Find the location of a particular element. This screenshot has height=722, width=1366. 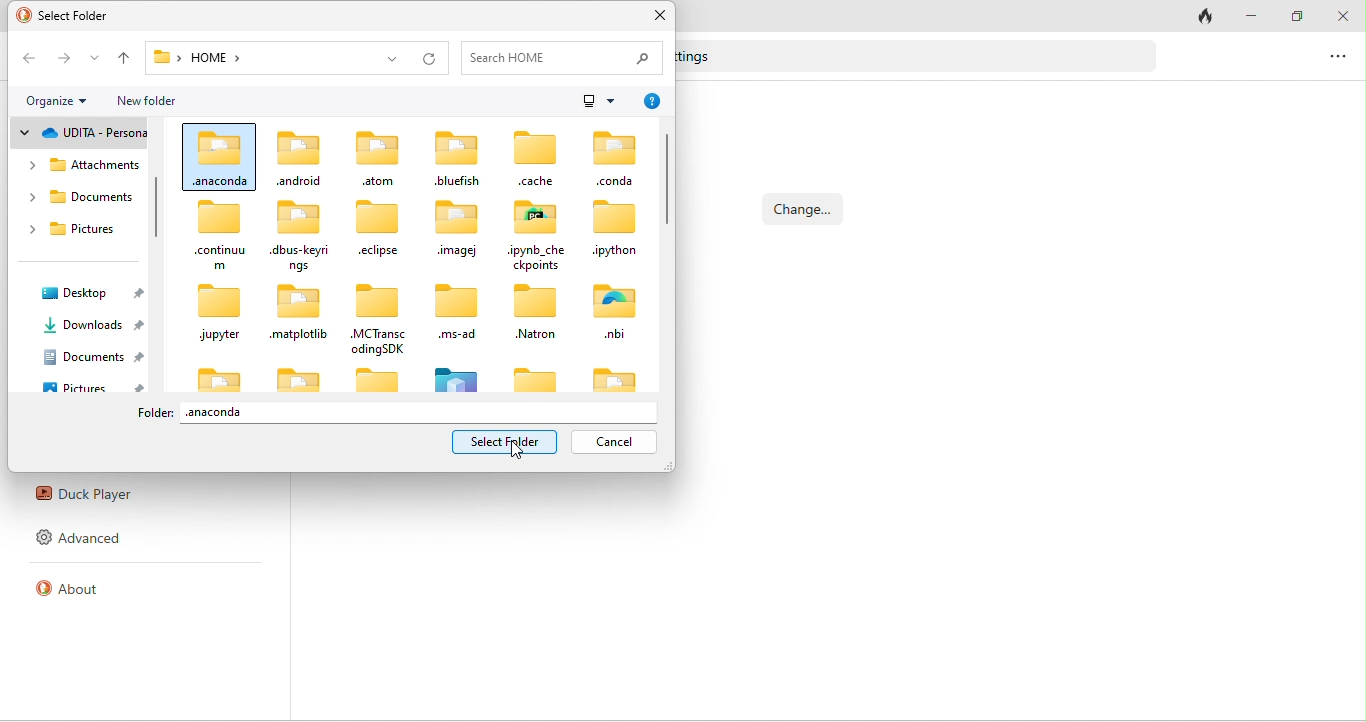

..continuum is located at coordinates (220, 235).